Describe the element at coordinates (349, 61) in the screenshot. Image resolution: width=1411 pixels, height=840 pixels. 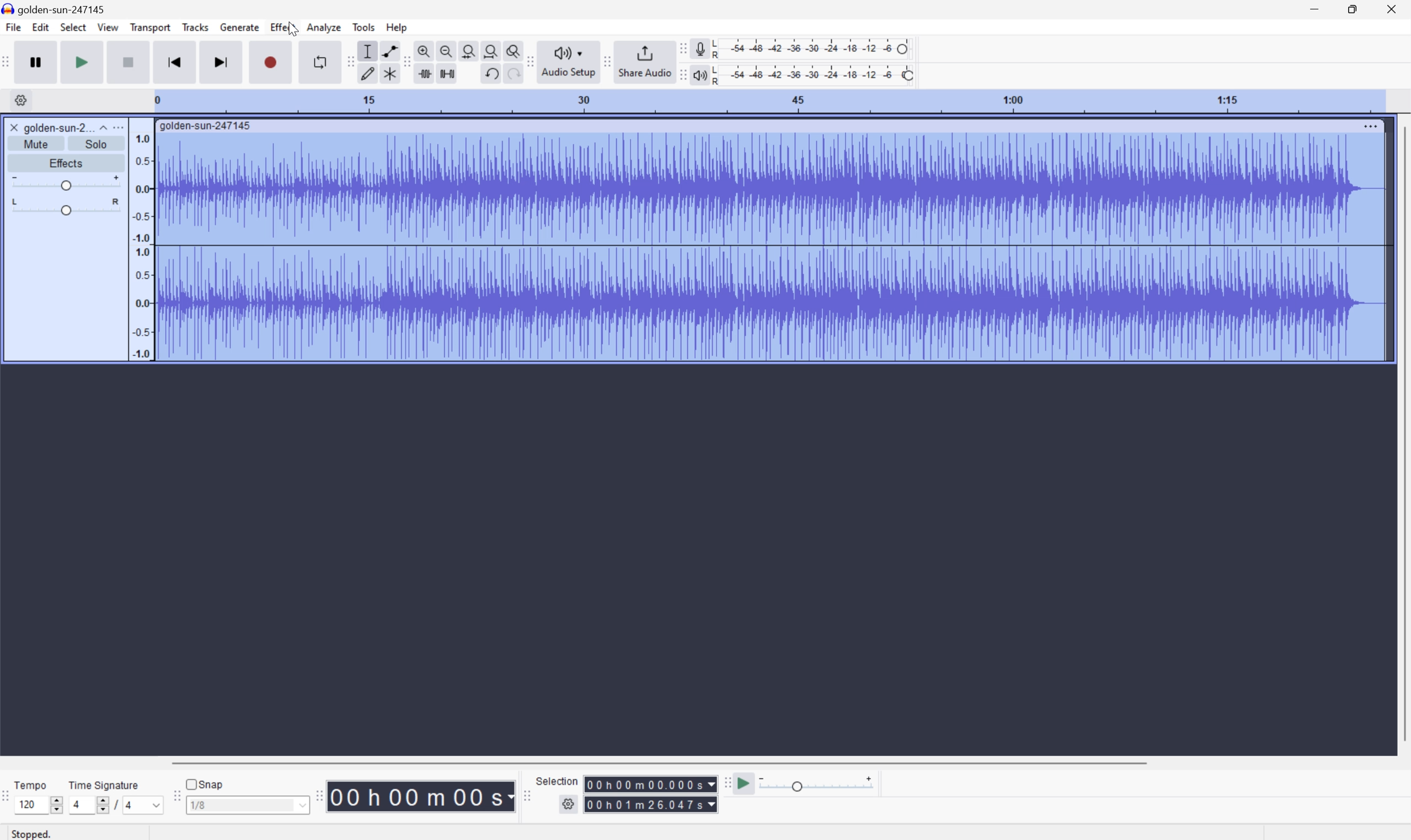
I see `Audacity edit toolbar` at that location.